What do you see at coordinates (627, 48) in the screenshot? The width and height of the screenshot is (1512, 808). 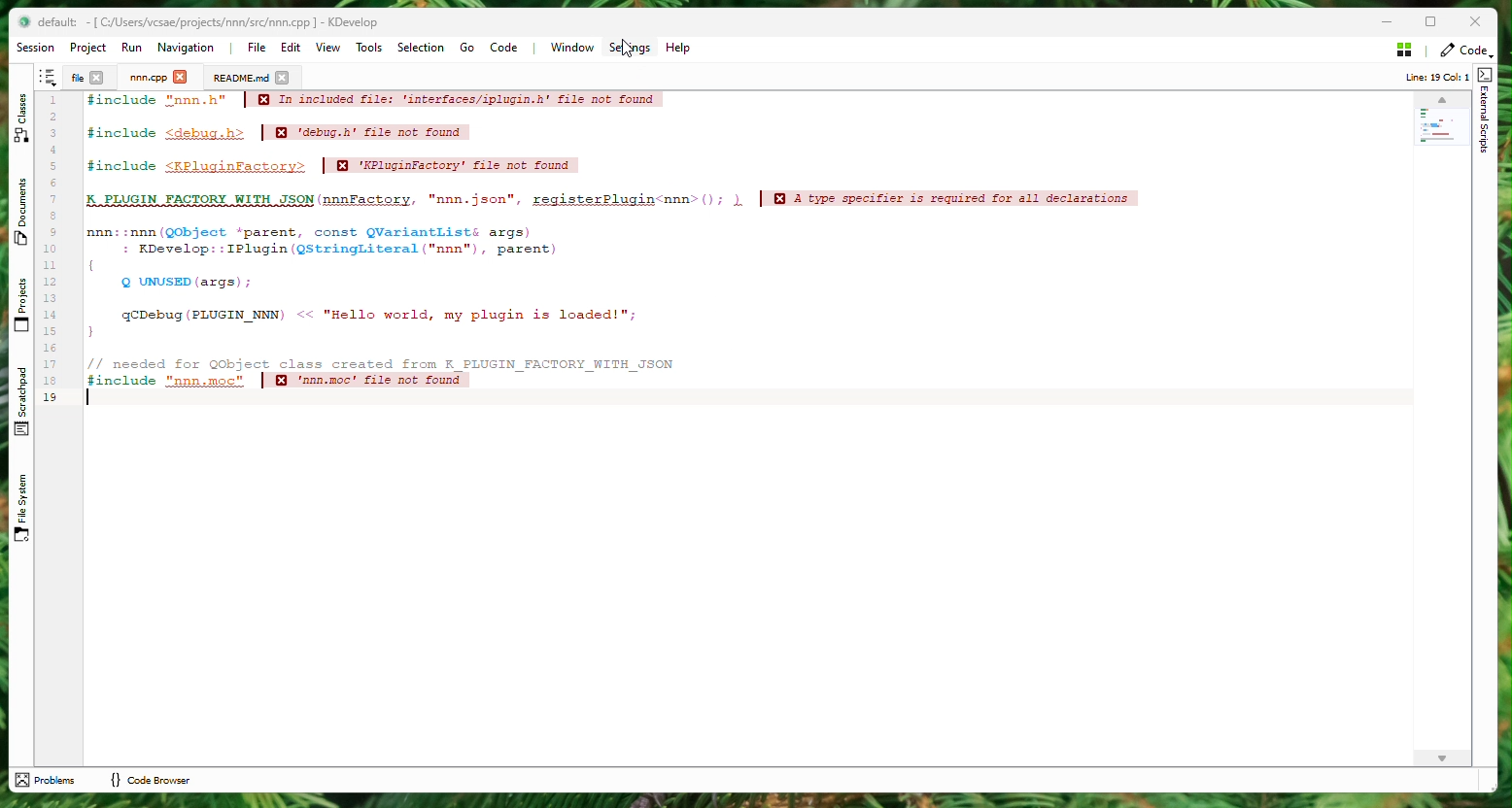 I see `cursor` at bounding box center [627, 48].